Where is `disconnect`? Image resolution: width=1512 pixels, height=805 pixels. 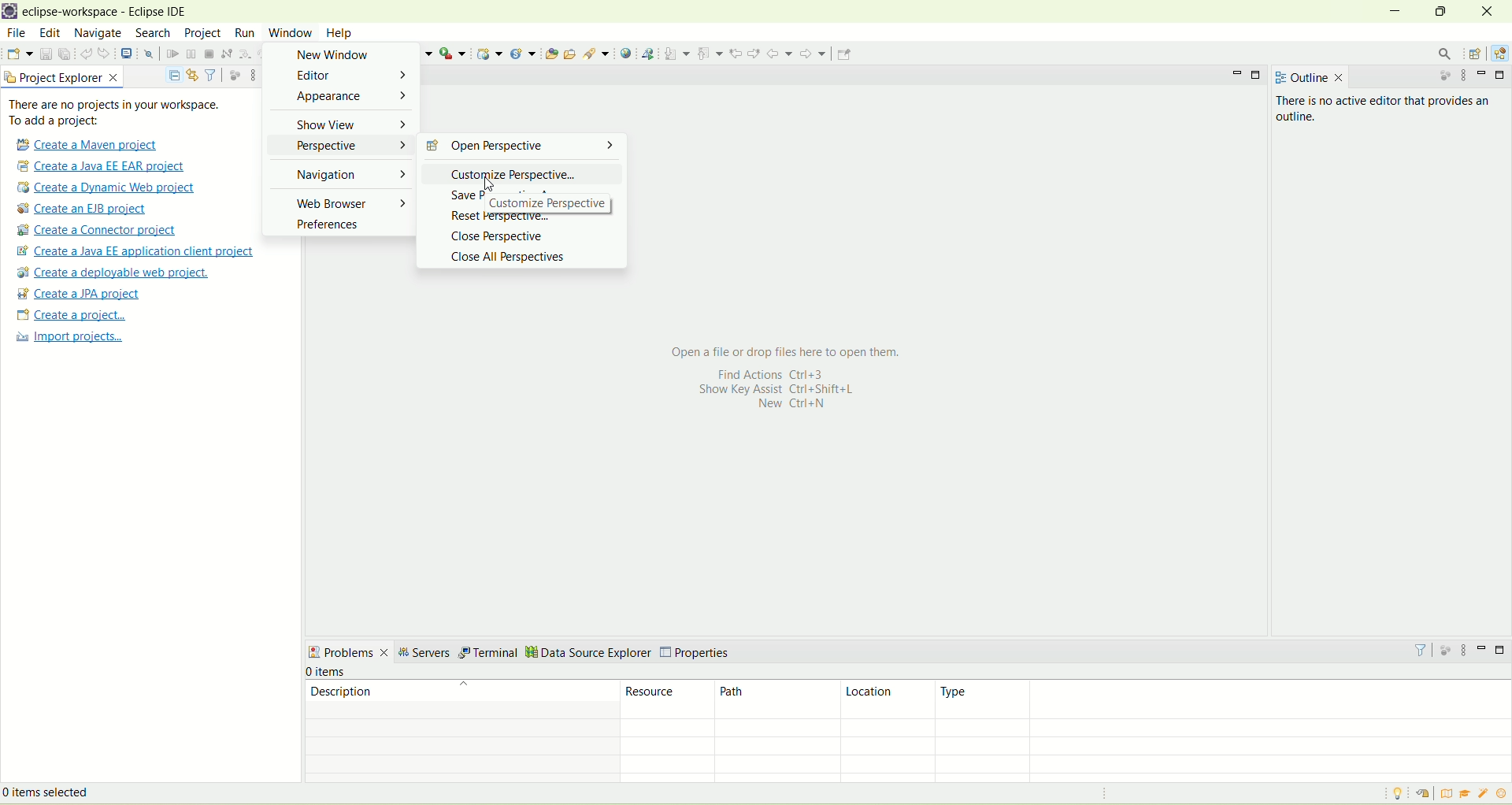
disconnect is located at coordinates (226, 54).